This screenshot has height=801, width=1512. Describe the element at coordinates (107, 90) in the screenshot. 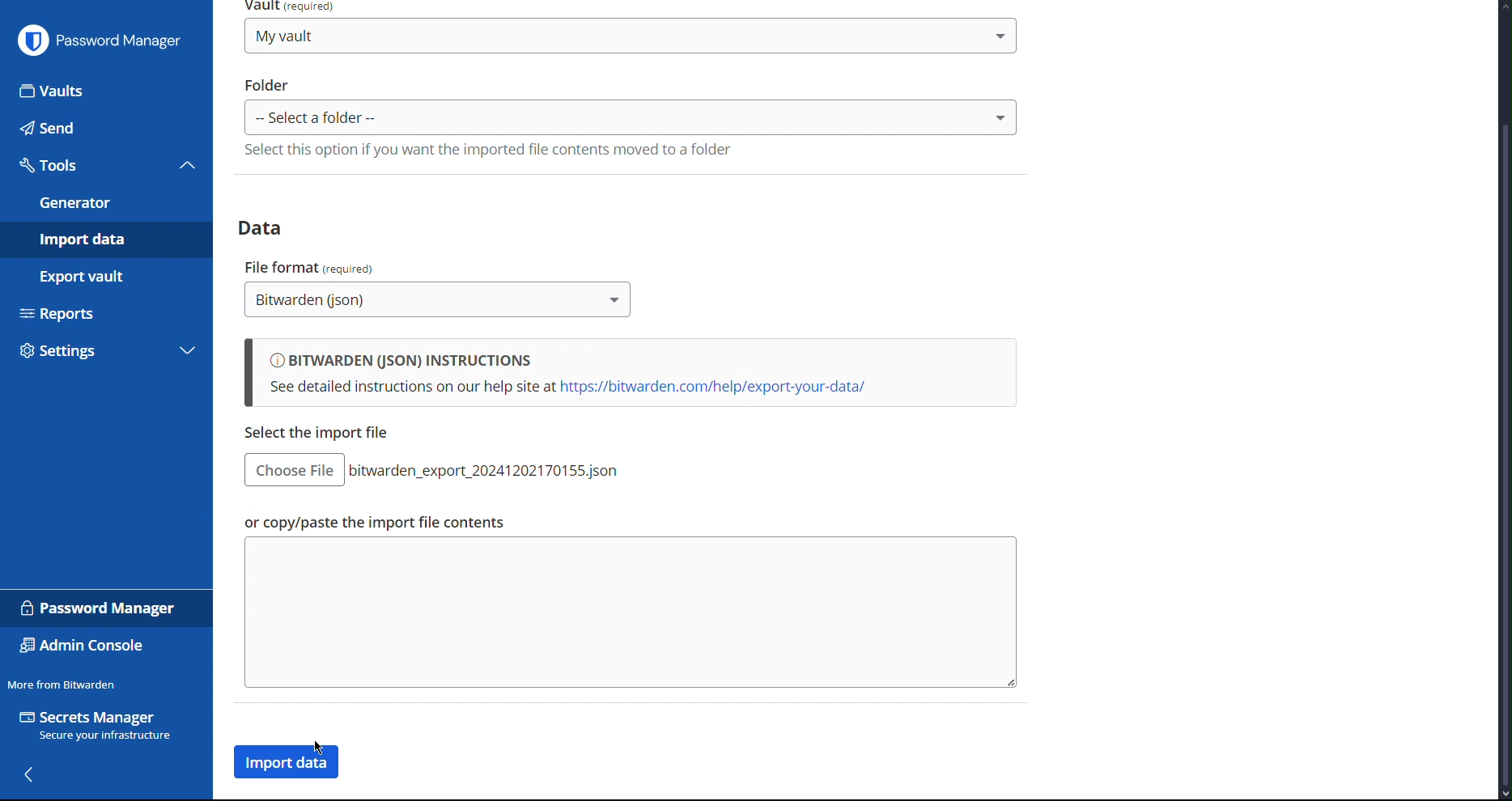

I see `Vaults` at that location.